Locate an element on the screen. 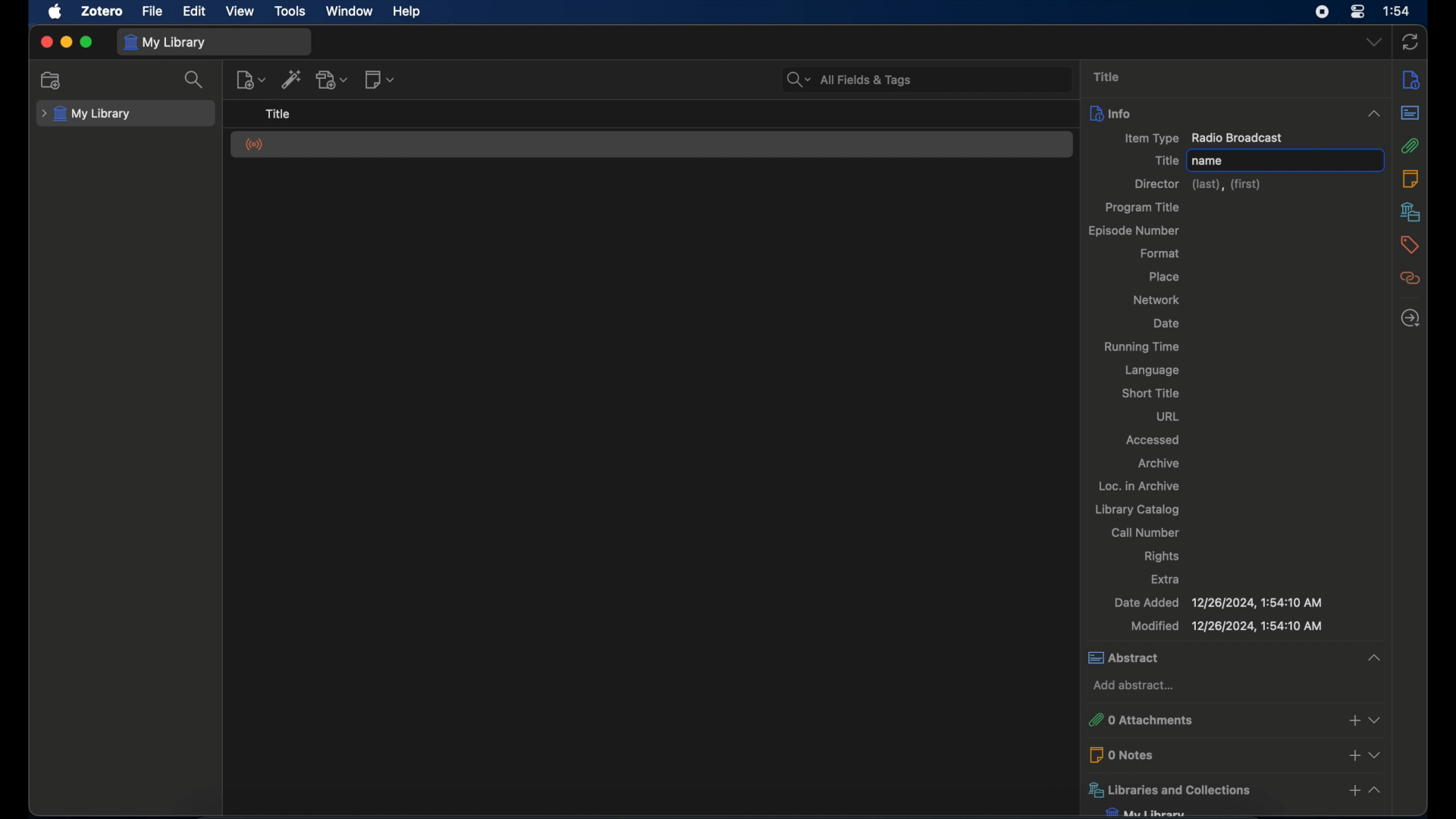  running time is located at coordinates (1141, 347).